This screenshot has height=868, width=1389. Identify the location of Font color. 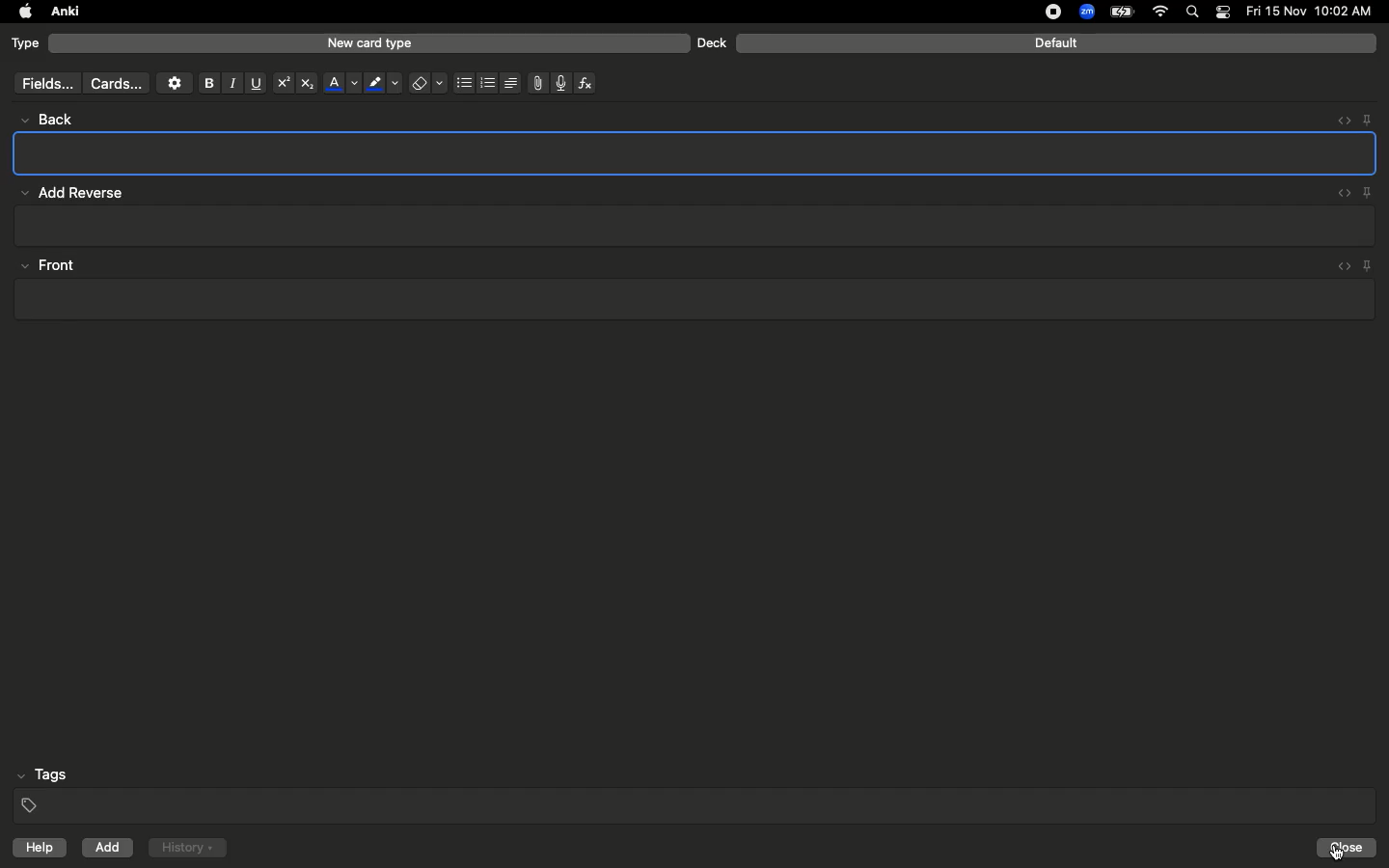
(340, 83).